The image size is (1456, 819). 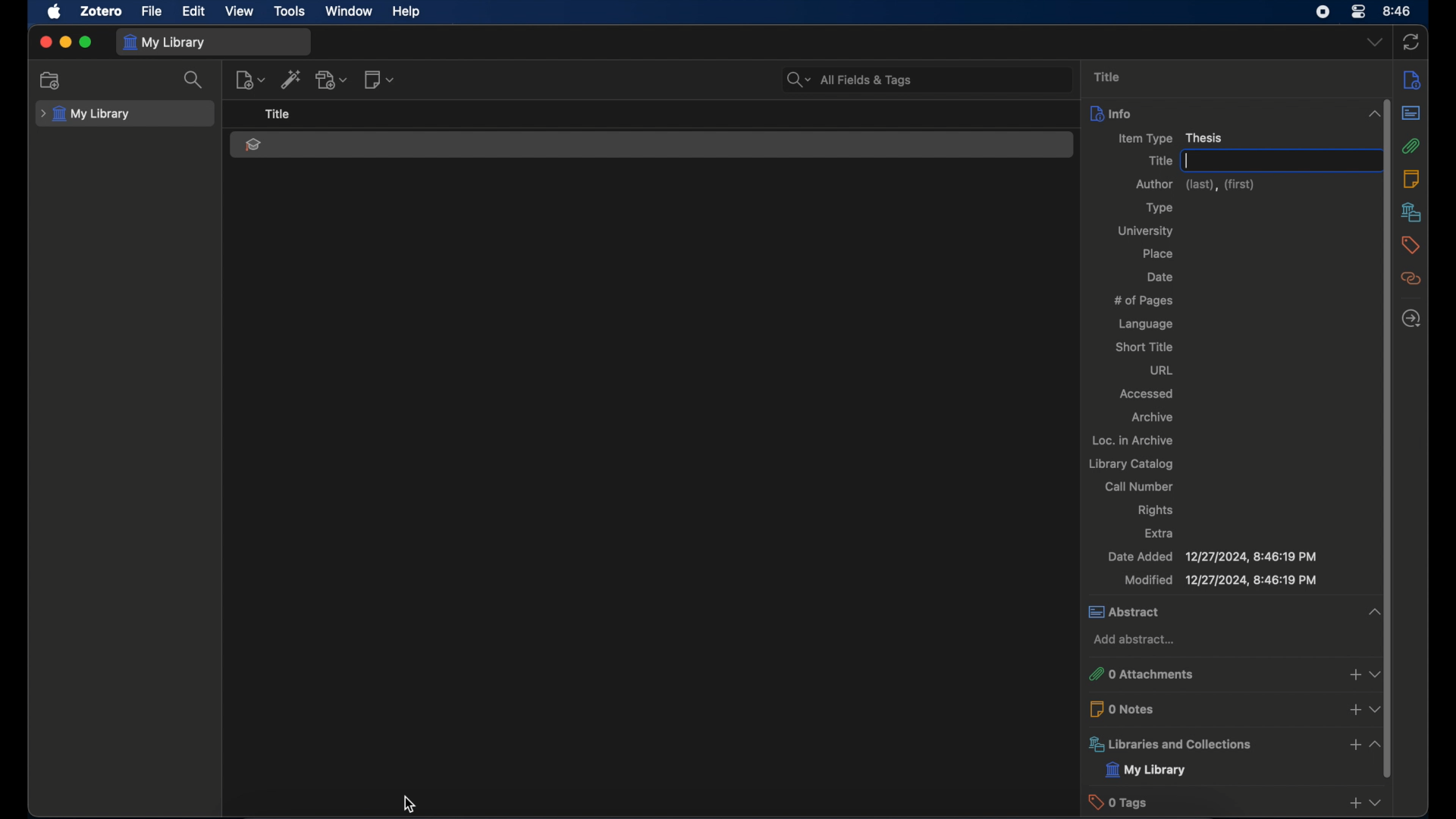 What do you see at coordinates (277, 115) in the screenshot?
I see `title` at bounding box center [277, 115].